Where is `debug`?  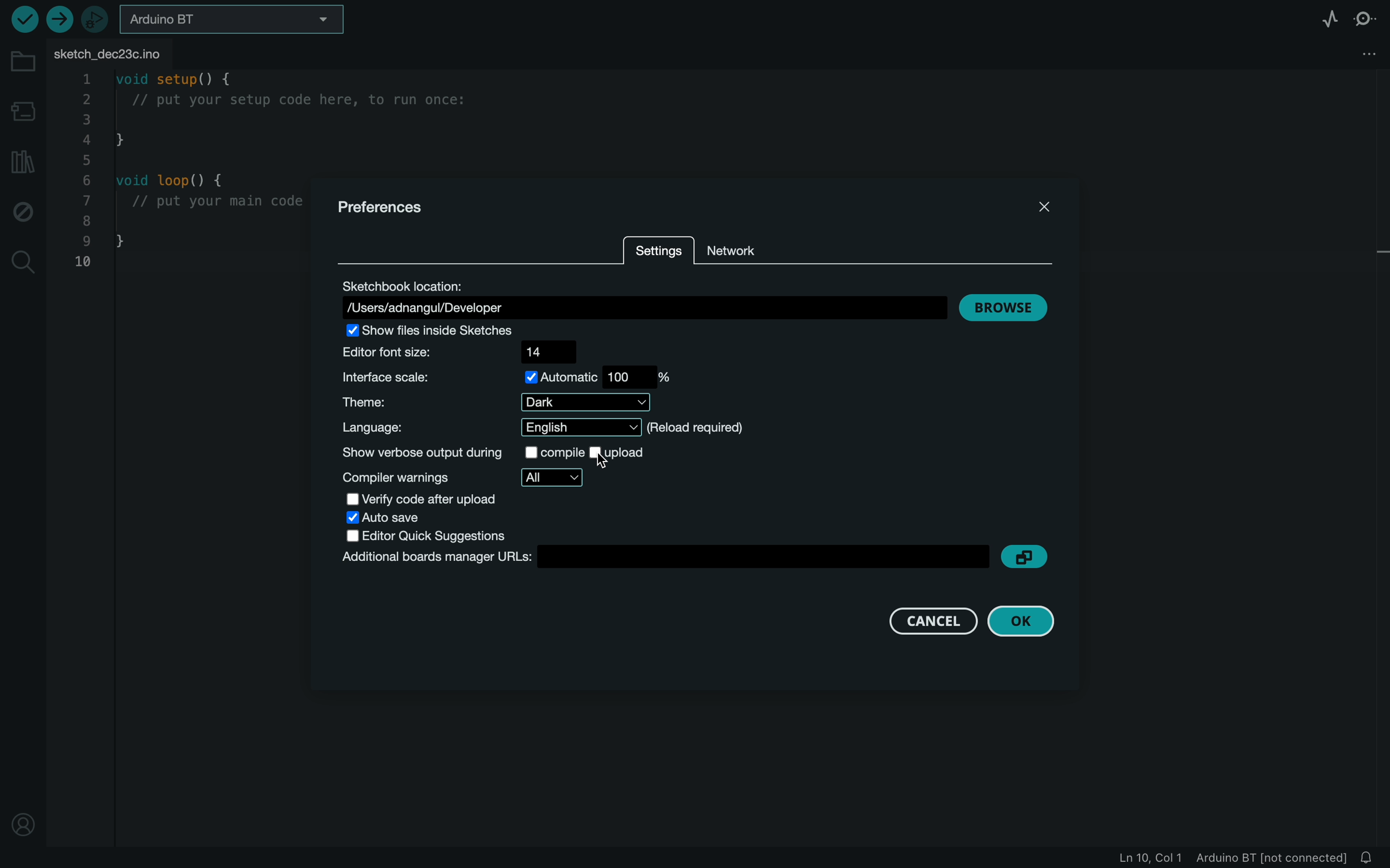
debug is located at coordinates (25, 210).